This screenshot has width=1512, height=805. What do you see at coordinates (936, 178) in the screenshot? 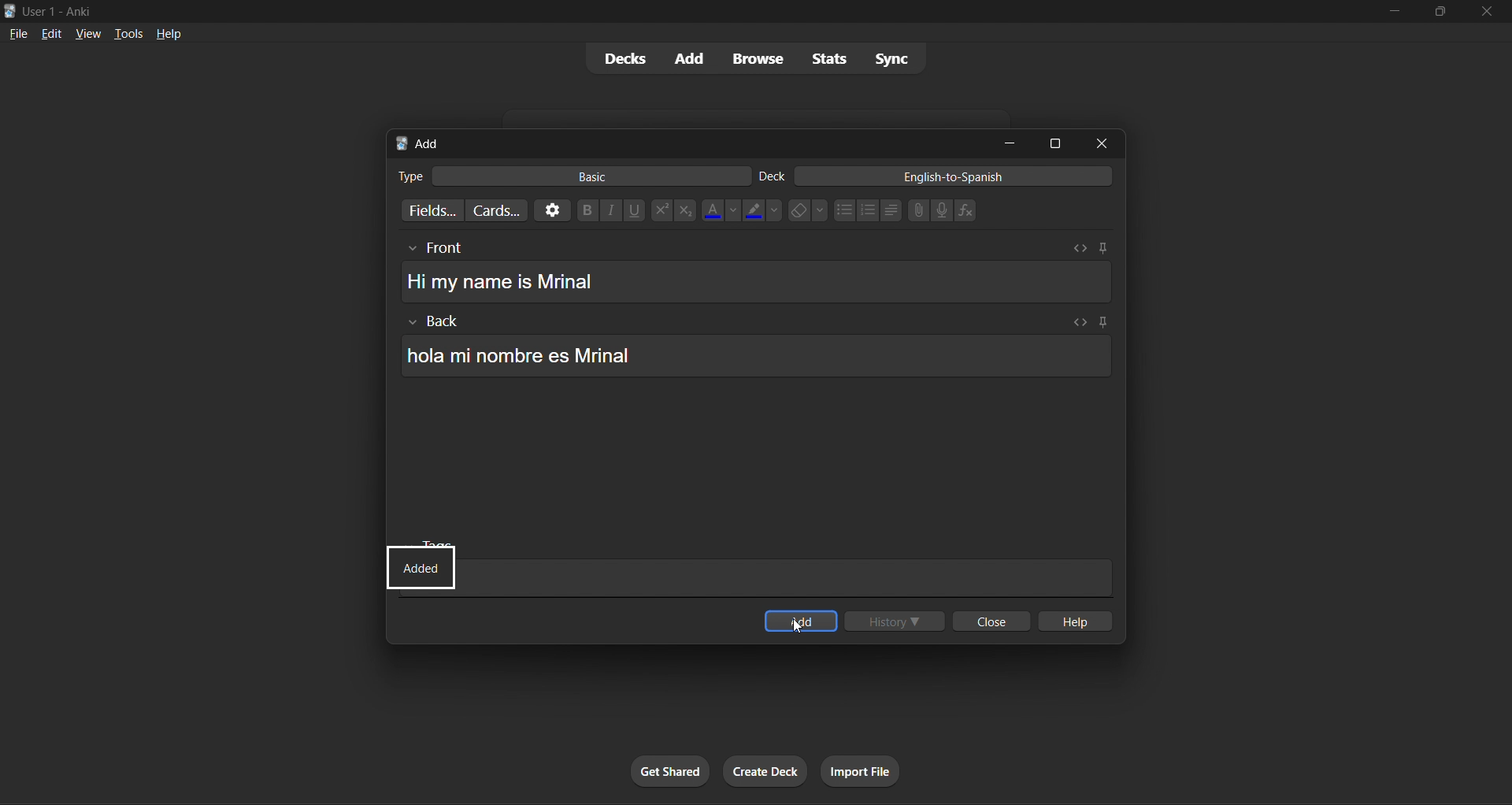
I see `english-to-spanish deck` at bounding box center [936, 178].